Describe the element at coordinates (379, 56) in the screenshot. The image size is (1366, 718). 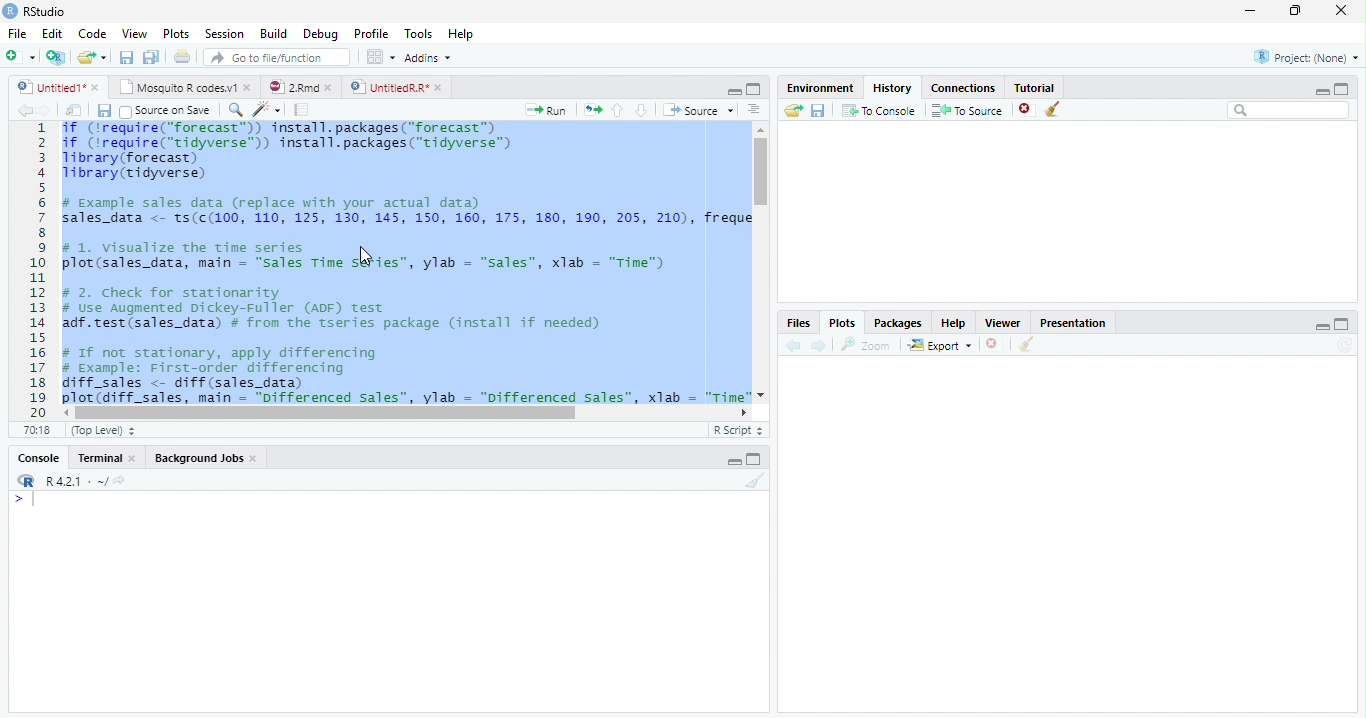
I see `Workplace panes` at that location.